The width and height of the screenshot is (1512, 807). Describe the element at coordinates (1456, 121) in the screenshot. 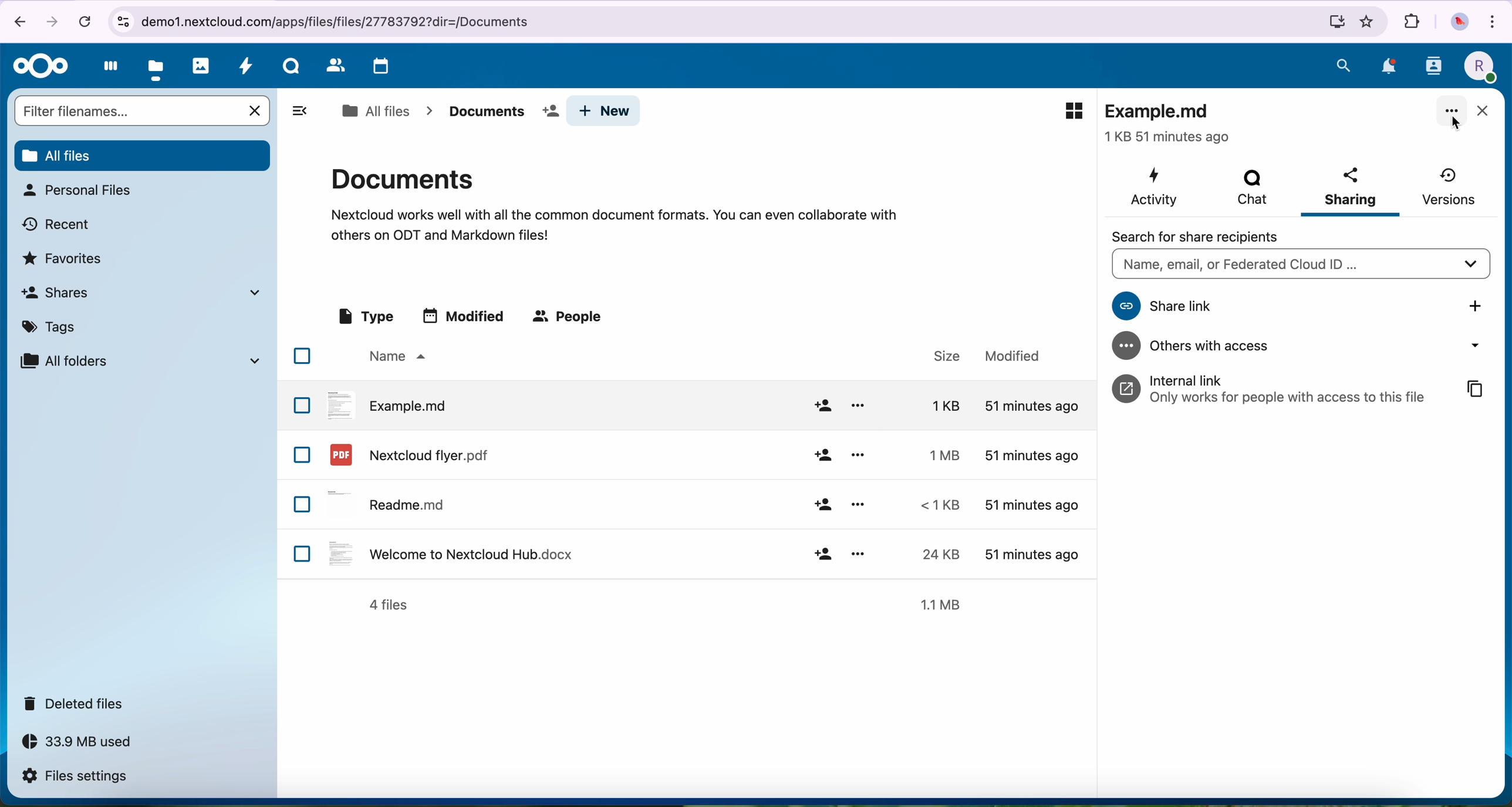

I see `cursor` at that location.